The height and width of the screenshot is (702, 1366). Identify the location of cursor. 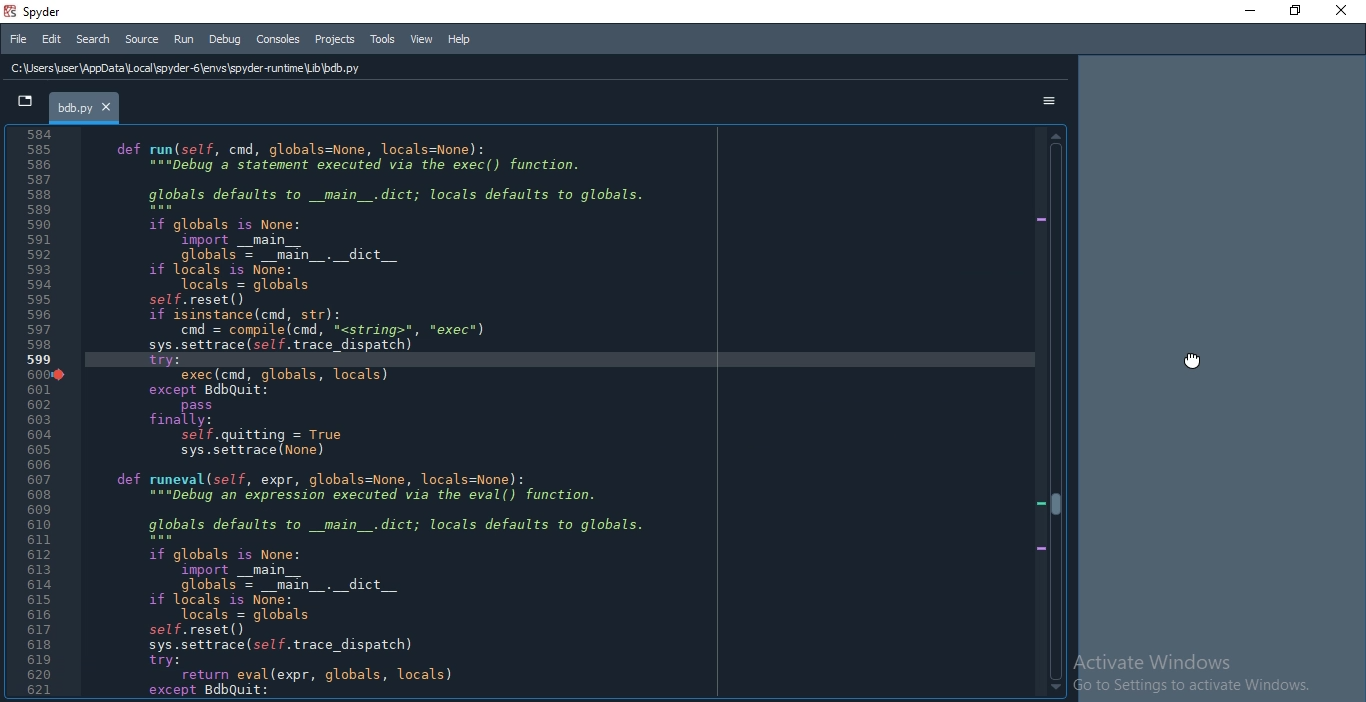
(1201, 362).